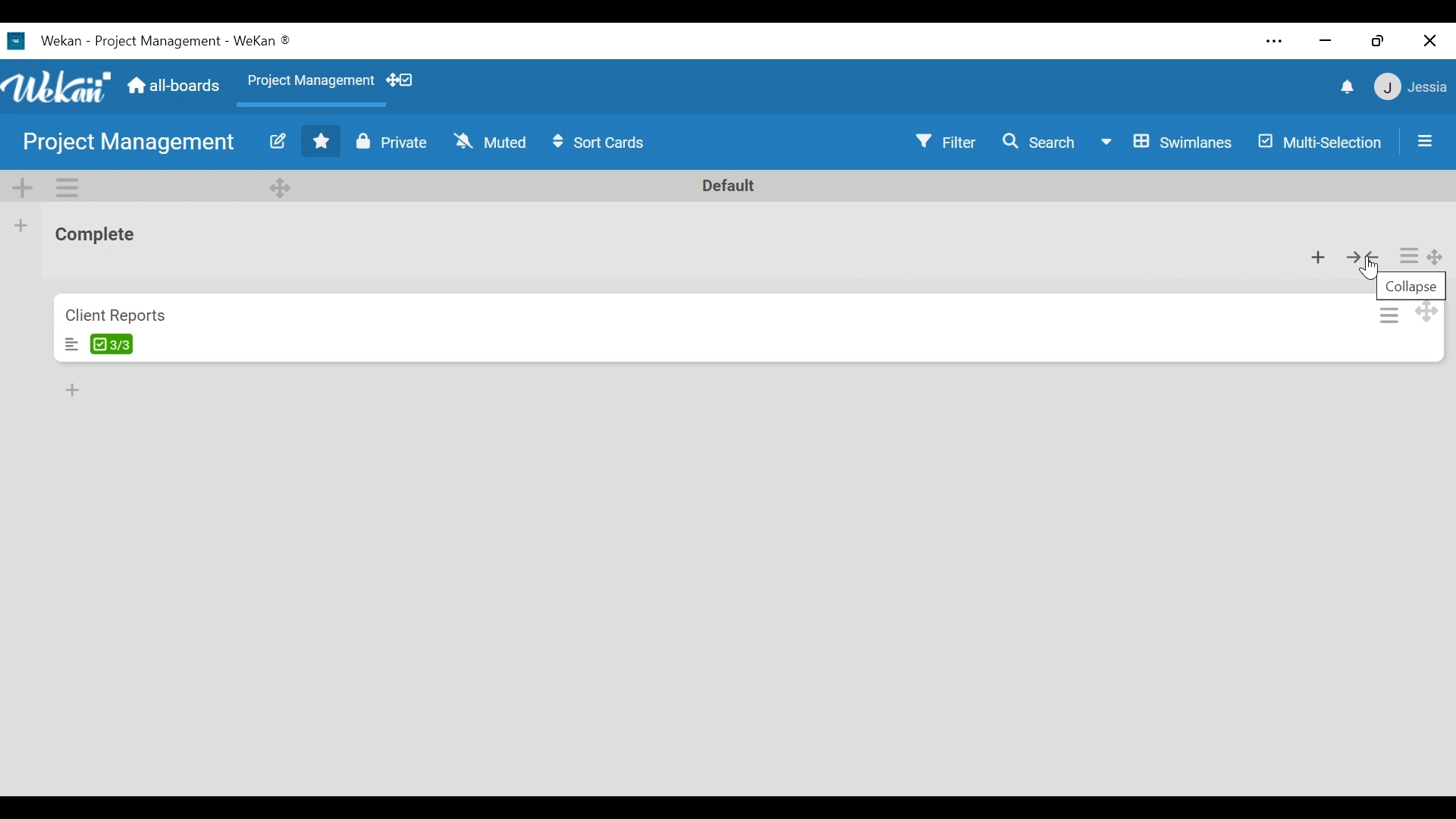 This screenshot has width=1456, height=819. What do you see at coordinates (283, 186) in the screenshot?
I see `Desktop drag handle` at bounding box center [283, 186].